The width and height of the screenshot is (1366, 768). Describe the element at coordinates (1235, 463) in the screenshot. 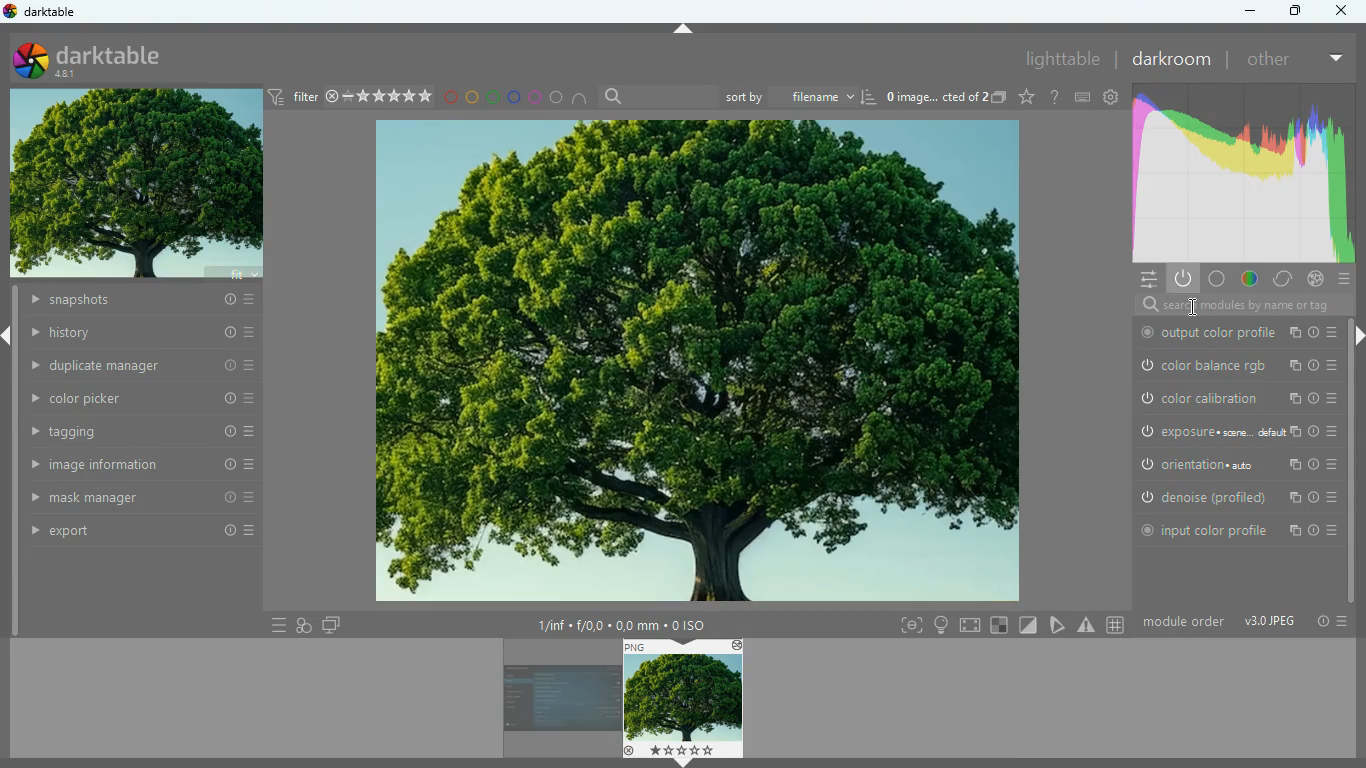

I see `orientation` at that location.